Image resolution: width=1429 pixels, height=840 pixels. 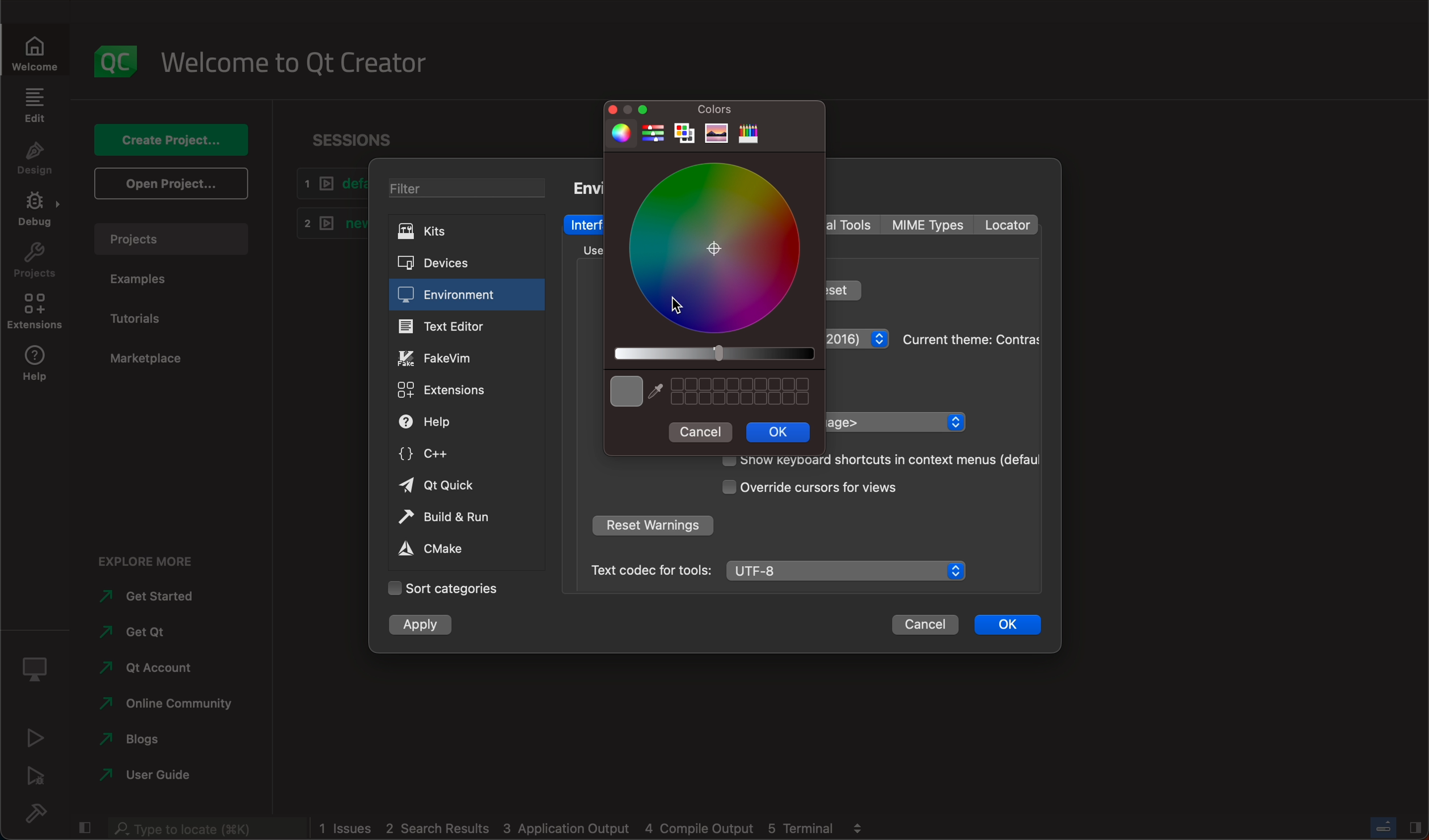 I want to click on reset, so click(x=844, y=289).